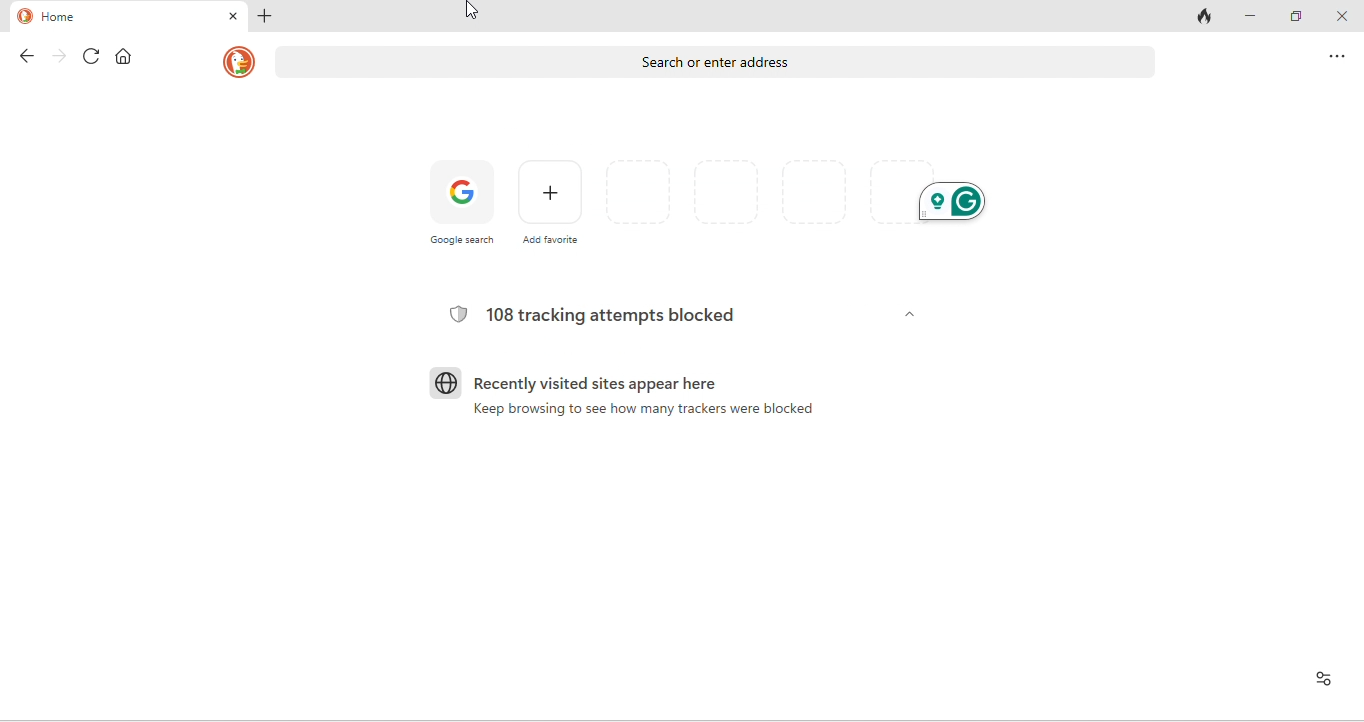 The height and width of the screenshot is (722, 1364). Describe the element at coordinates (470, 14) in the screenshot. I see `cursor` at that location.